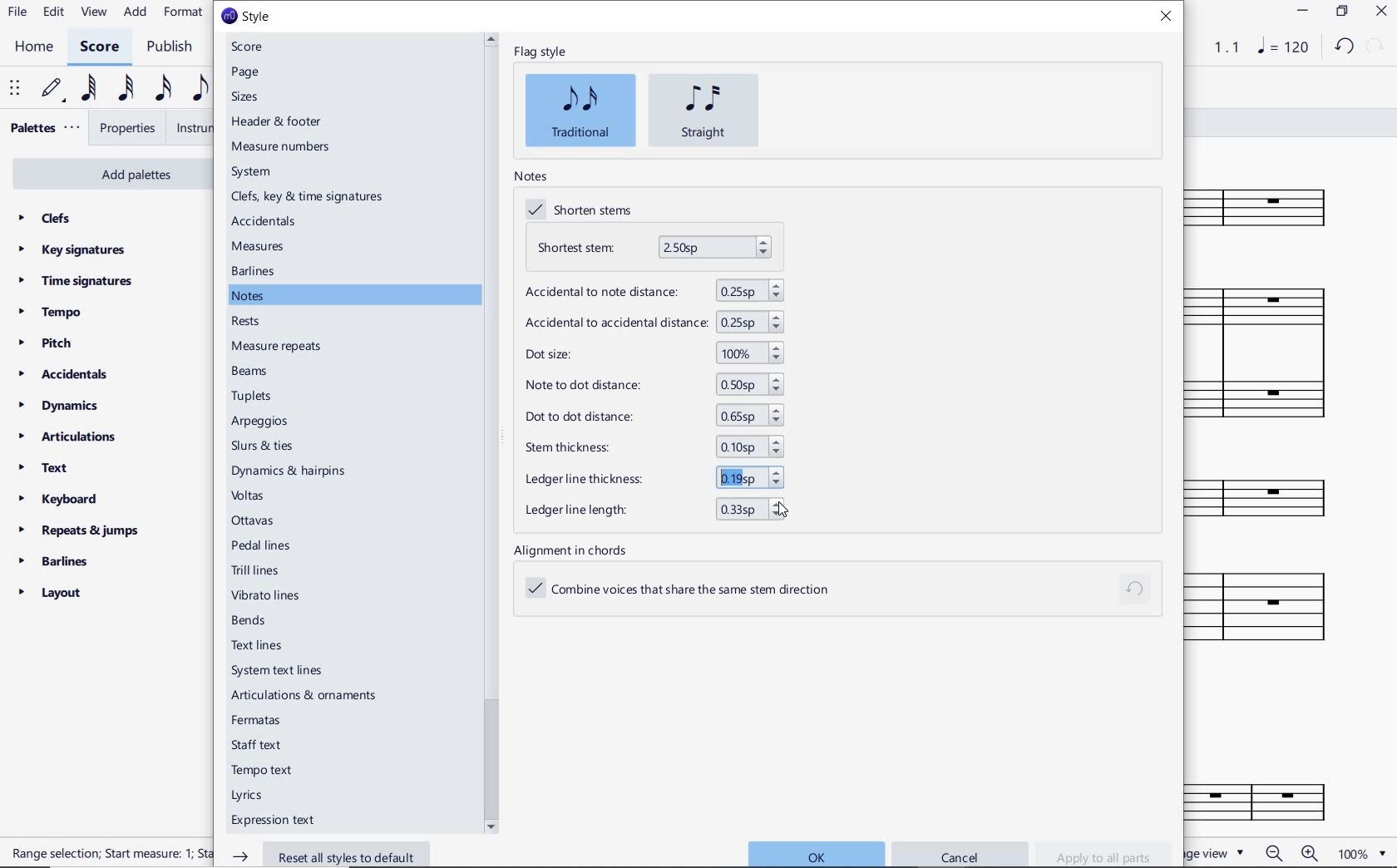 This screenshot has width=1397, height=868. Describe the element at coordinates (106, 855) in the screenshot. I see `RANGE SELECTION` at that location.